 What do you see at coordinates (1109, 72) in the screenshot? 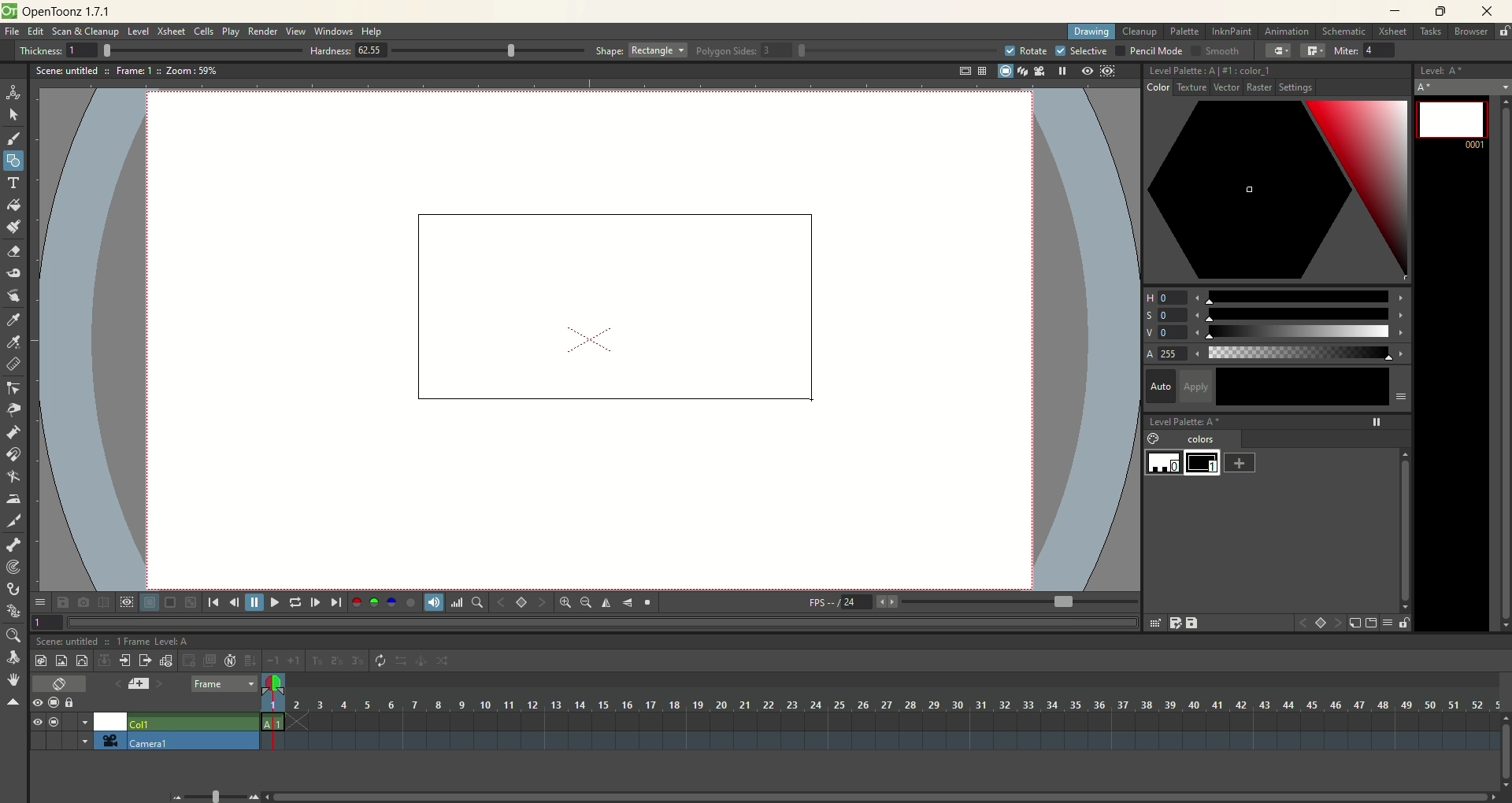
I see `sub-camera preview` at bounding box center [1109, 72].